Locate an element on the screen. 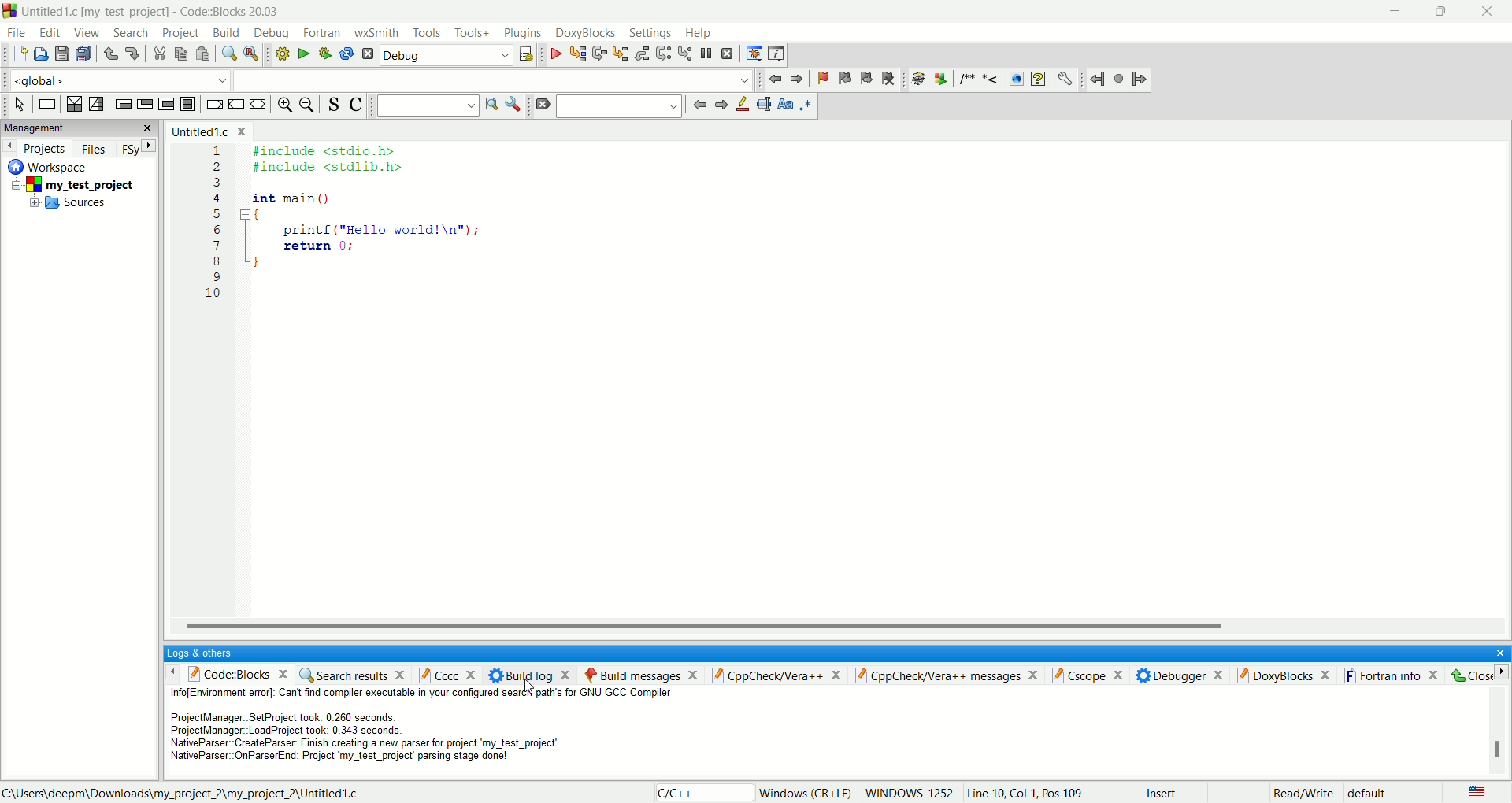 The width and height of the screenshot is (1512, 803). toggle comment is located at coordinates (354, 105).